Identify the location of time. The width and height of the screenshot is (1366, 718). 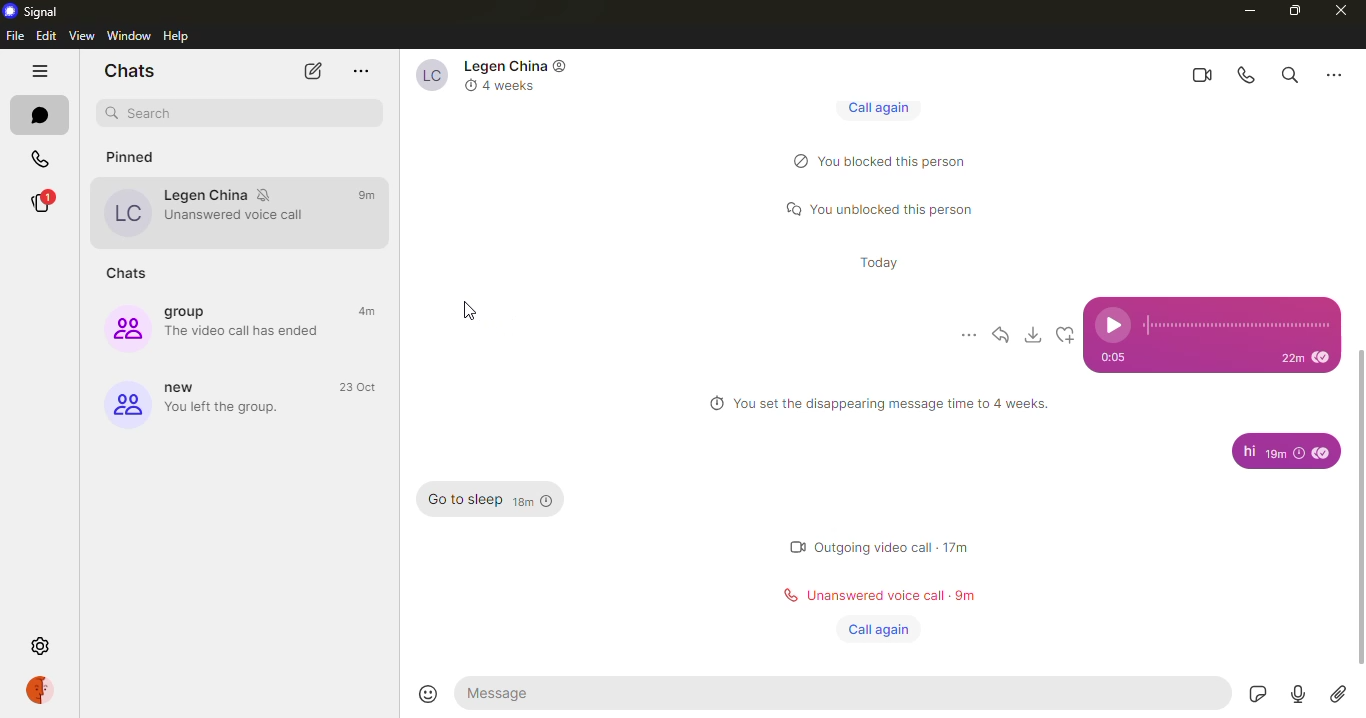
(370, 193).